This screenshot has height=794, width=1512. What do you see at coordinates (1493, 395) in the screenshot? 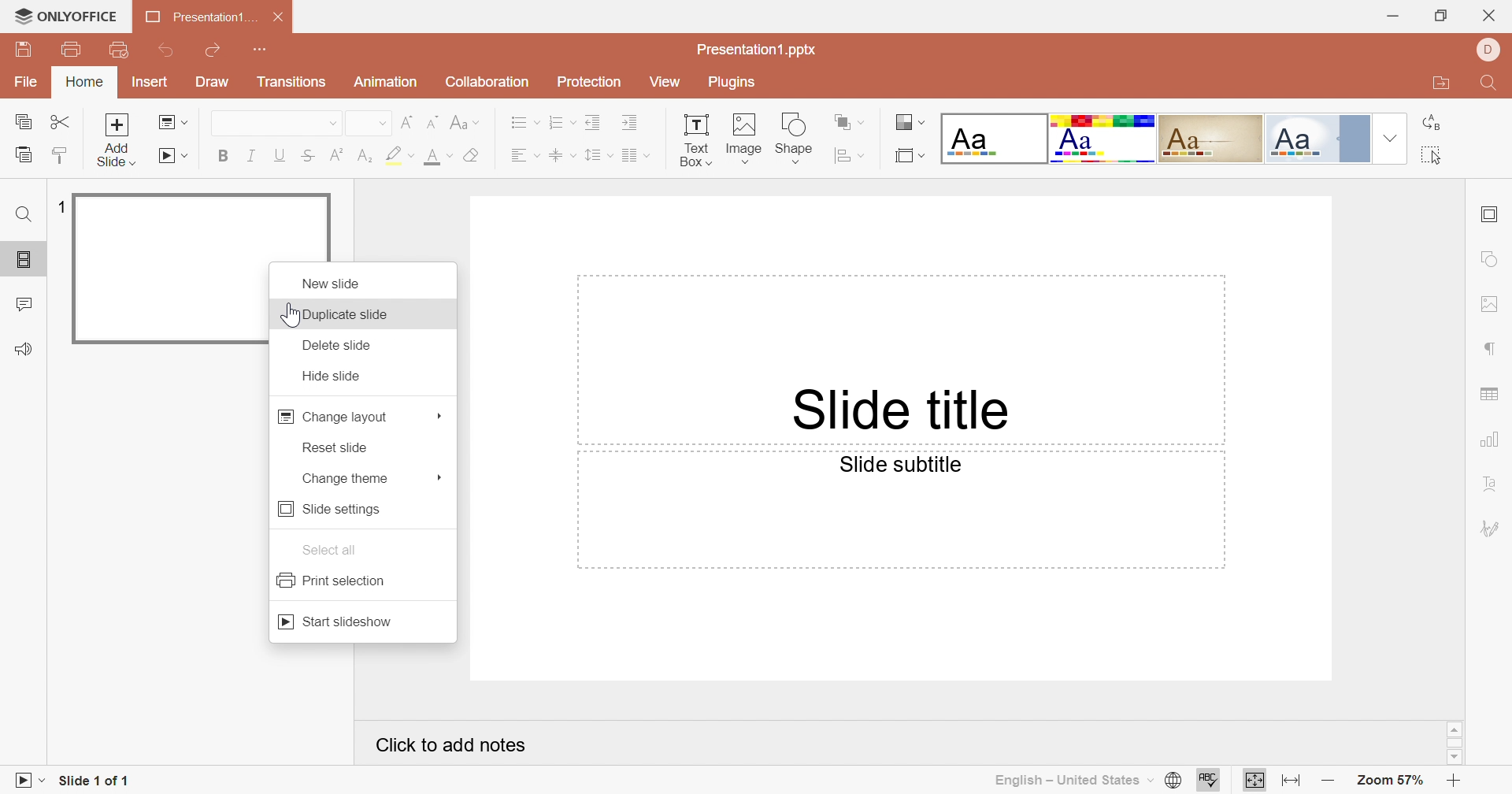
I see `Table settings` at bounding box center [1493, 395].